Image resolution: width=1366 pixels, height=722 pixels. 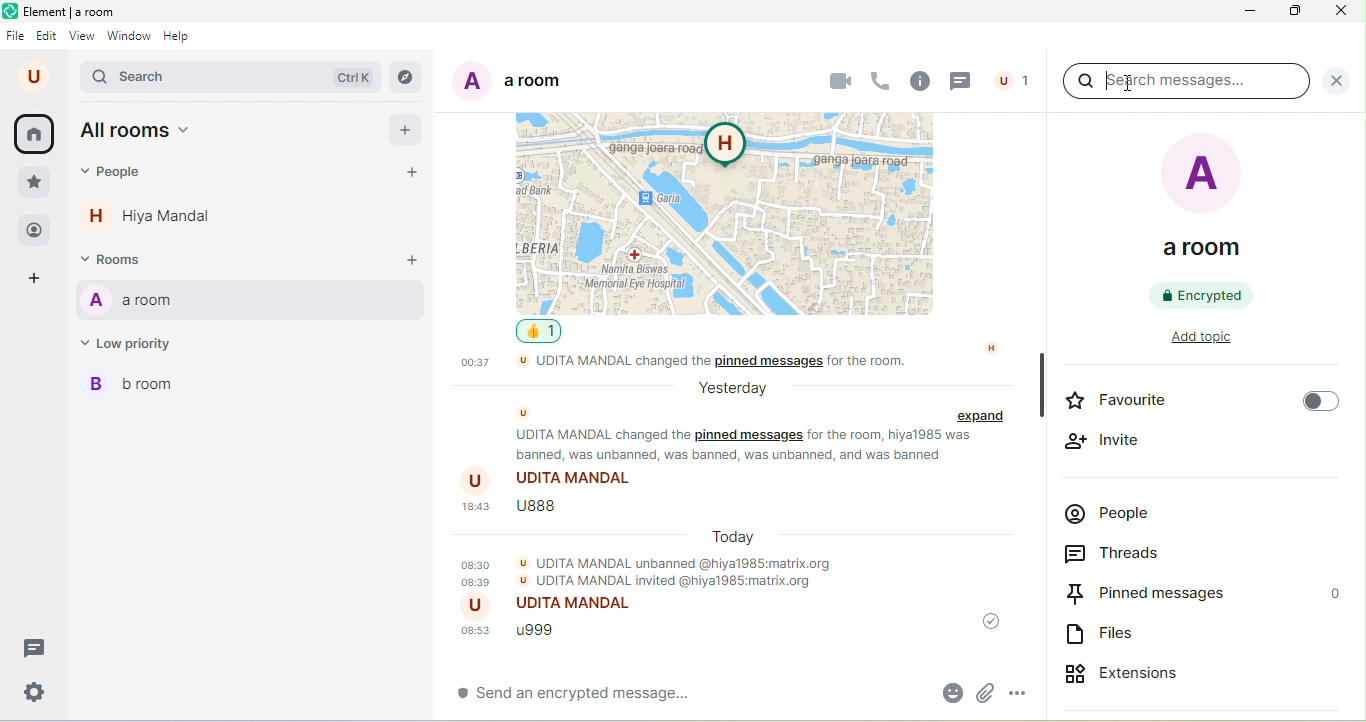 I want to click on view, so click(x=82, y=39).